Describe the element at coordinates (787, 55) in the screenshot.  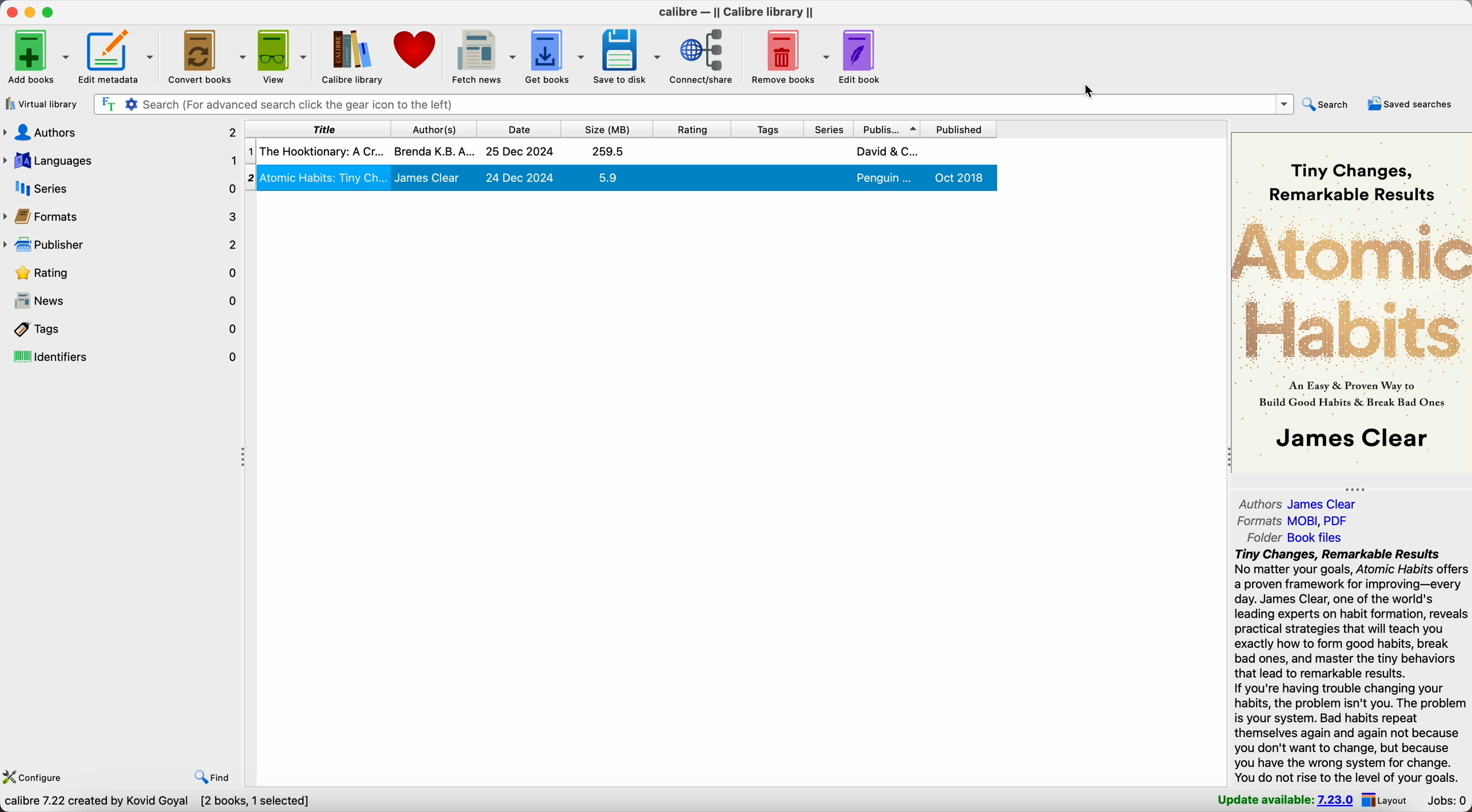
I see `remove books` at that location.